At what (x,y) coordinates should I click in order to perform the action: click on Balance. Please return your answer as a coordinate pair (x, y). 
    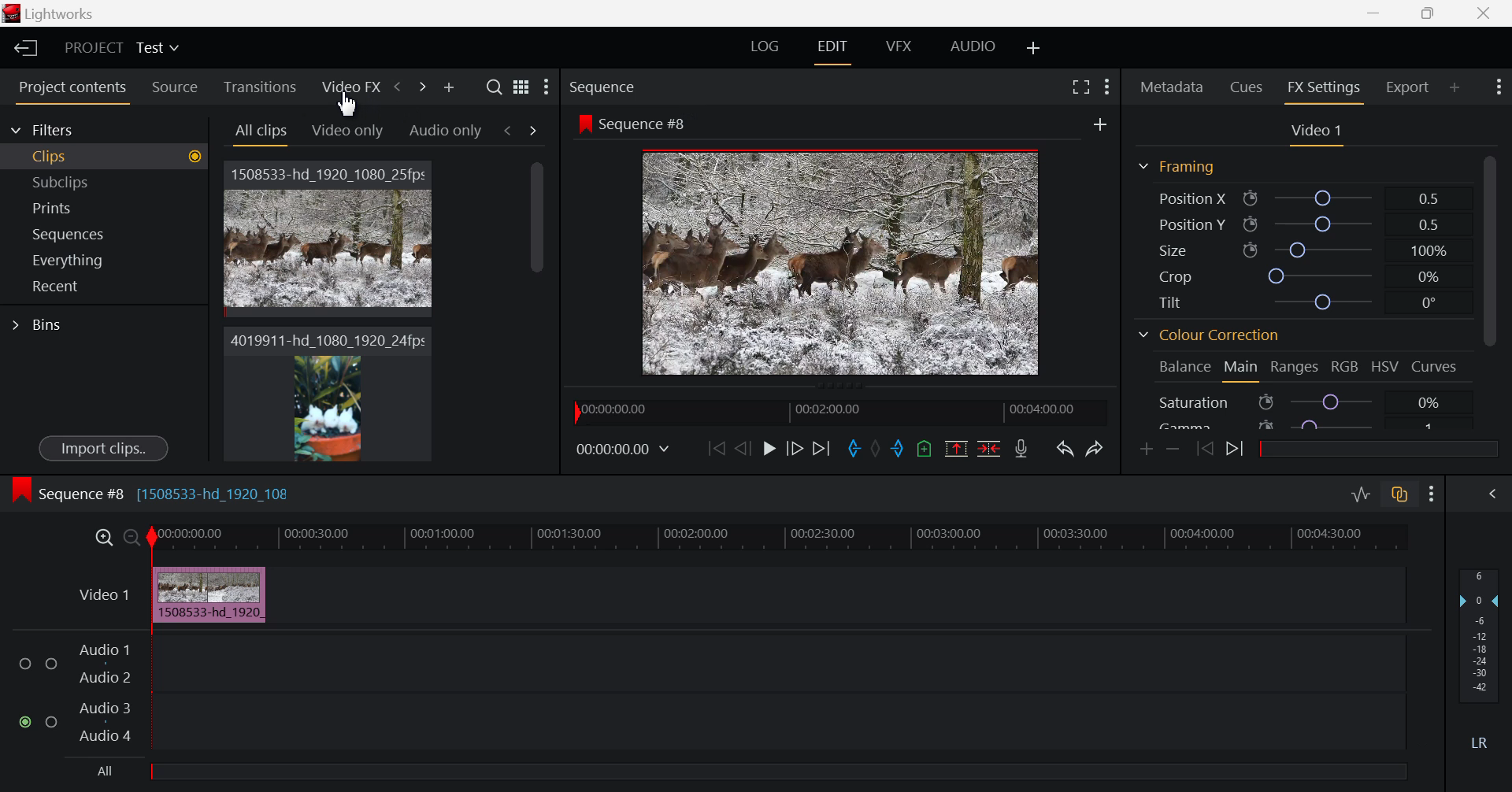
    Looking at the image, I should click on (1184, 369).